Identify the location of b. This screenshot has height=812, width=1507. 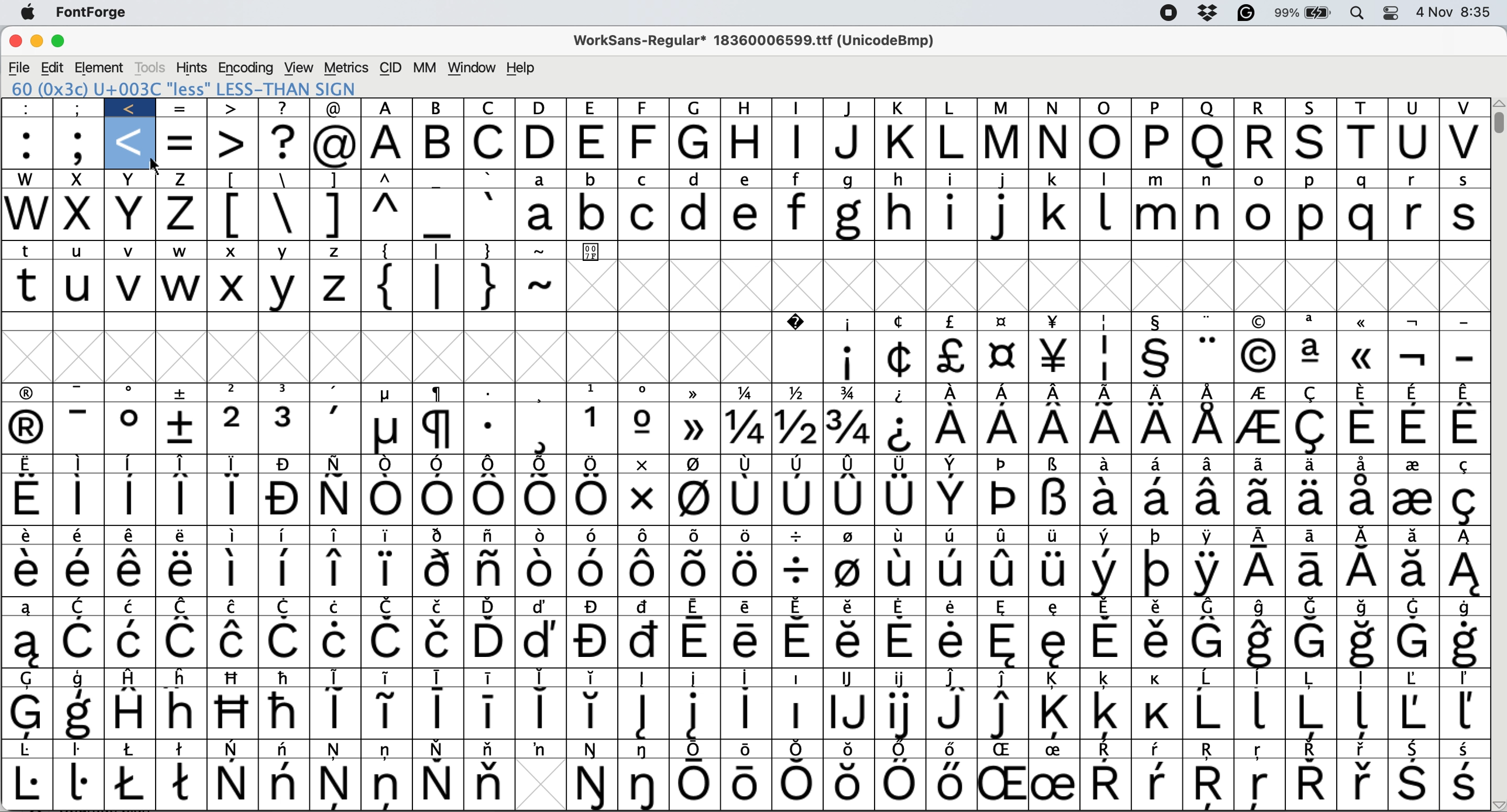
(588, 179).